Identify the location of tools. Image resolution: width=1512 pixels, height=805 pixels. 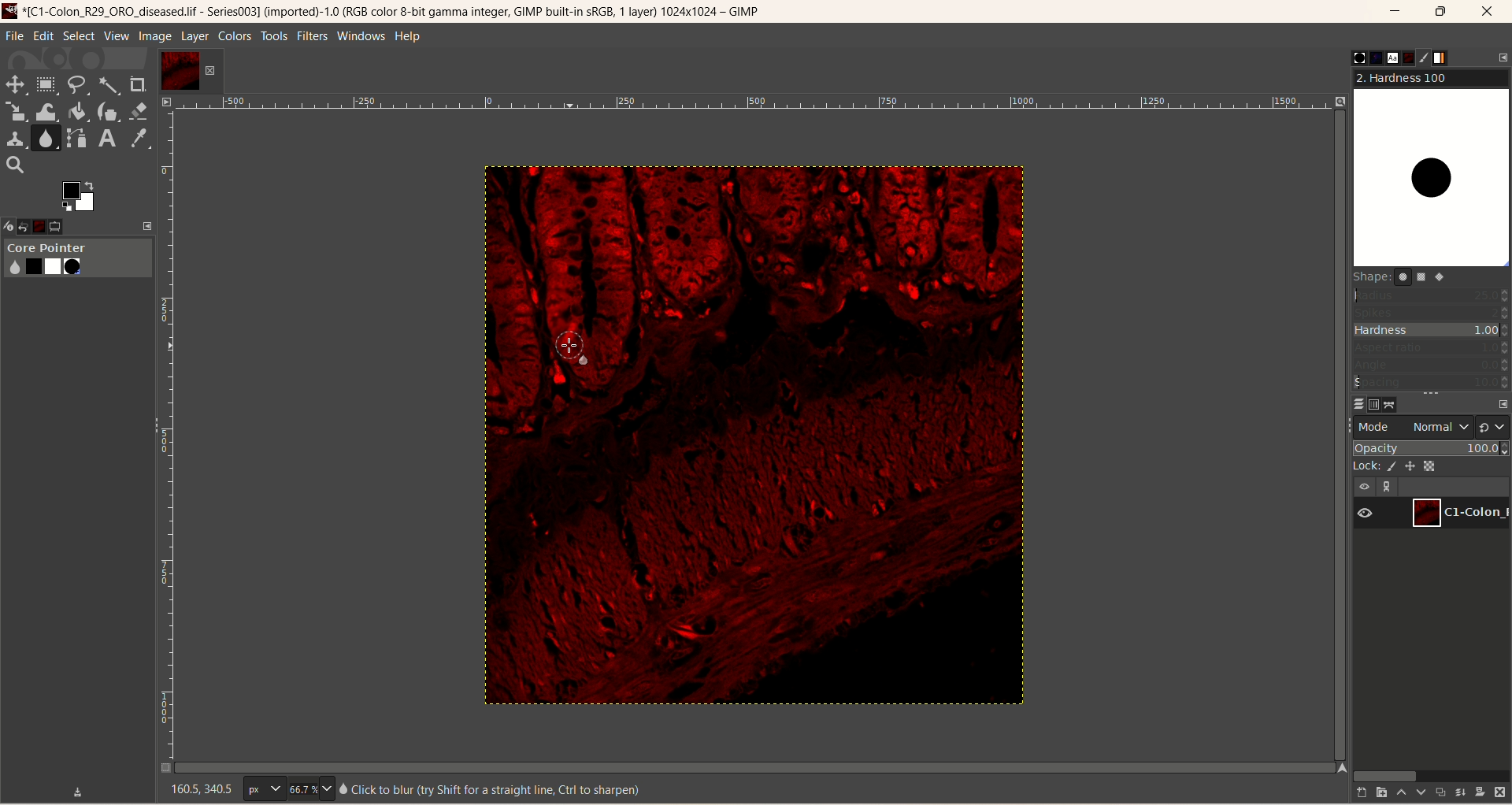
(275, 36).